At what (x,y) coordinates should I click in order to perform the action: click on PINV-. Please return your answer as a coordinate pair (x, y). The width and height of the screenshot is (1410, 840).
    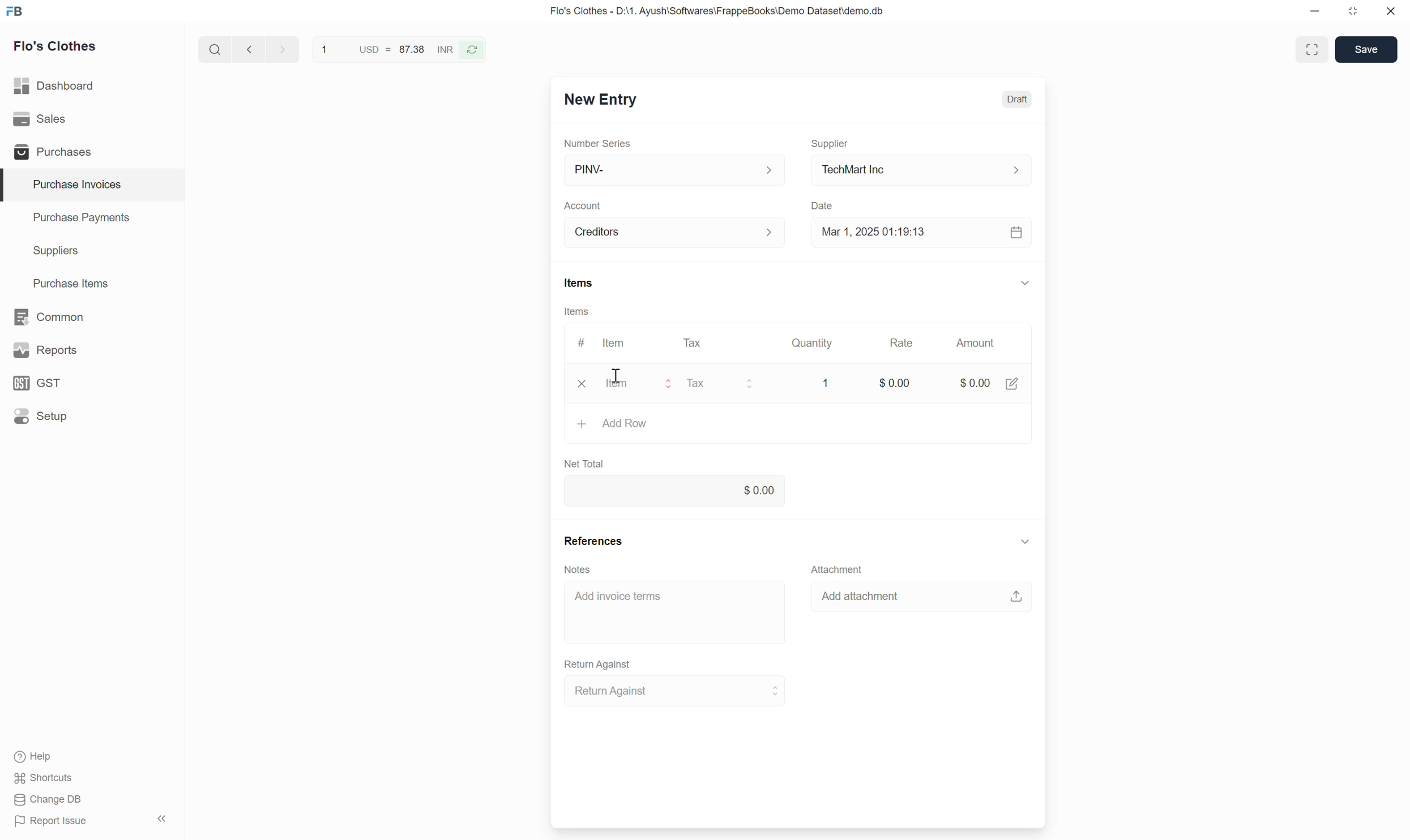
    Looking at the image, I should click on (670, 170).